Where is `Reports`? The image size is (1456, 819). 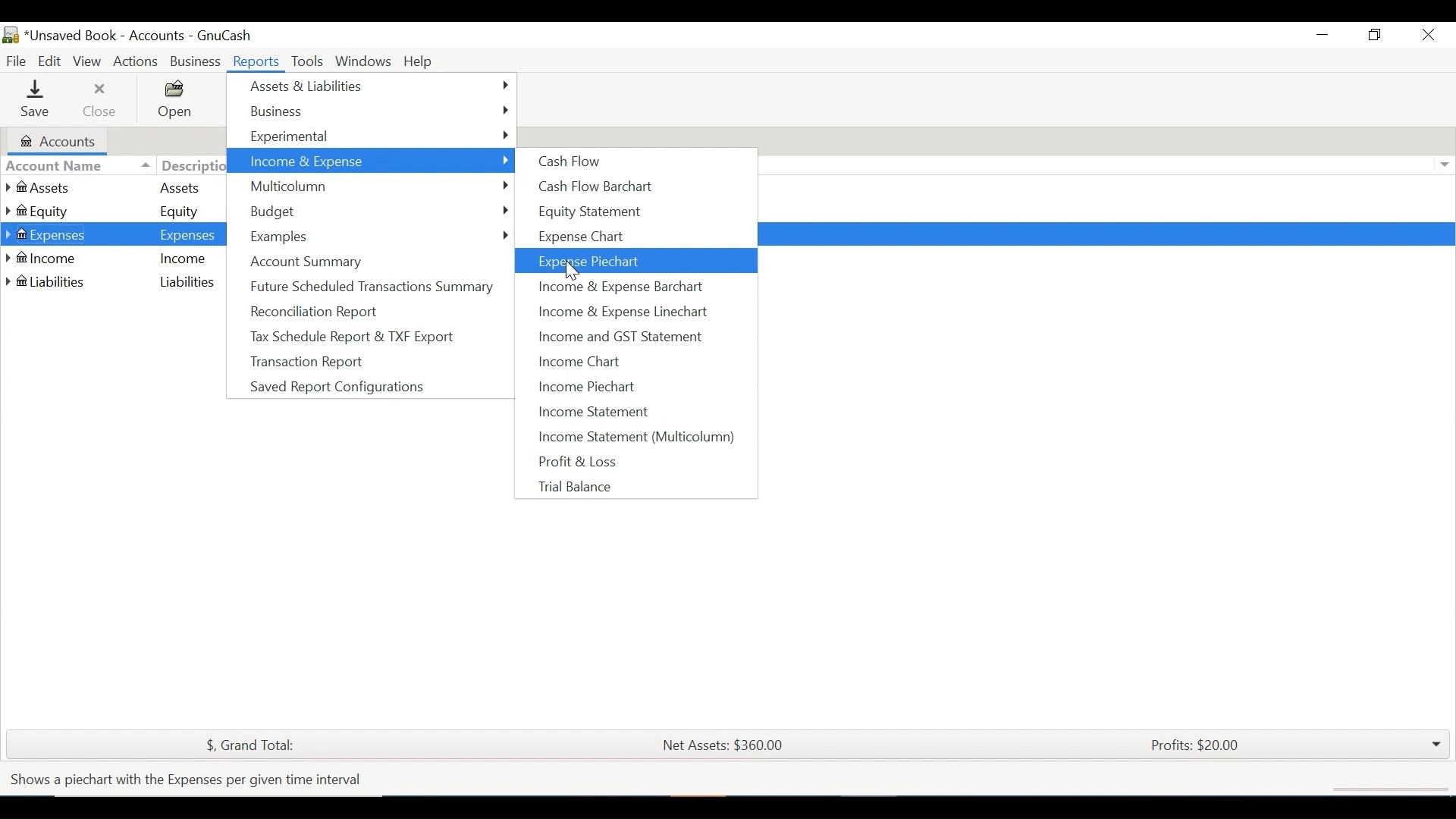
Reports is located at coordinates (254, 60).